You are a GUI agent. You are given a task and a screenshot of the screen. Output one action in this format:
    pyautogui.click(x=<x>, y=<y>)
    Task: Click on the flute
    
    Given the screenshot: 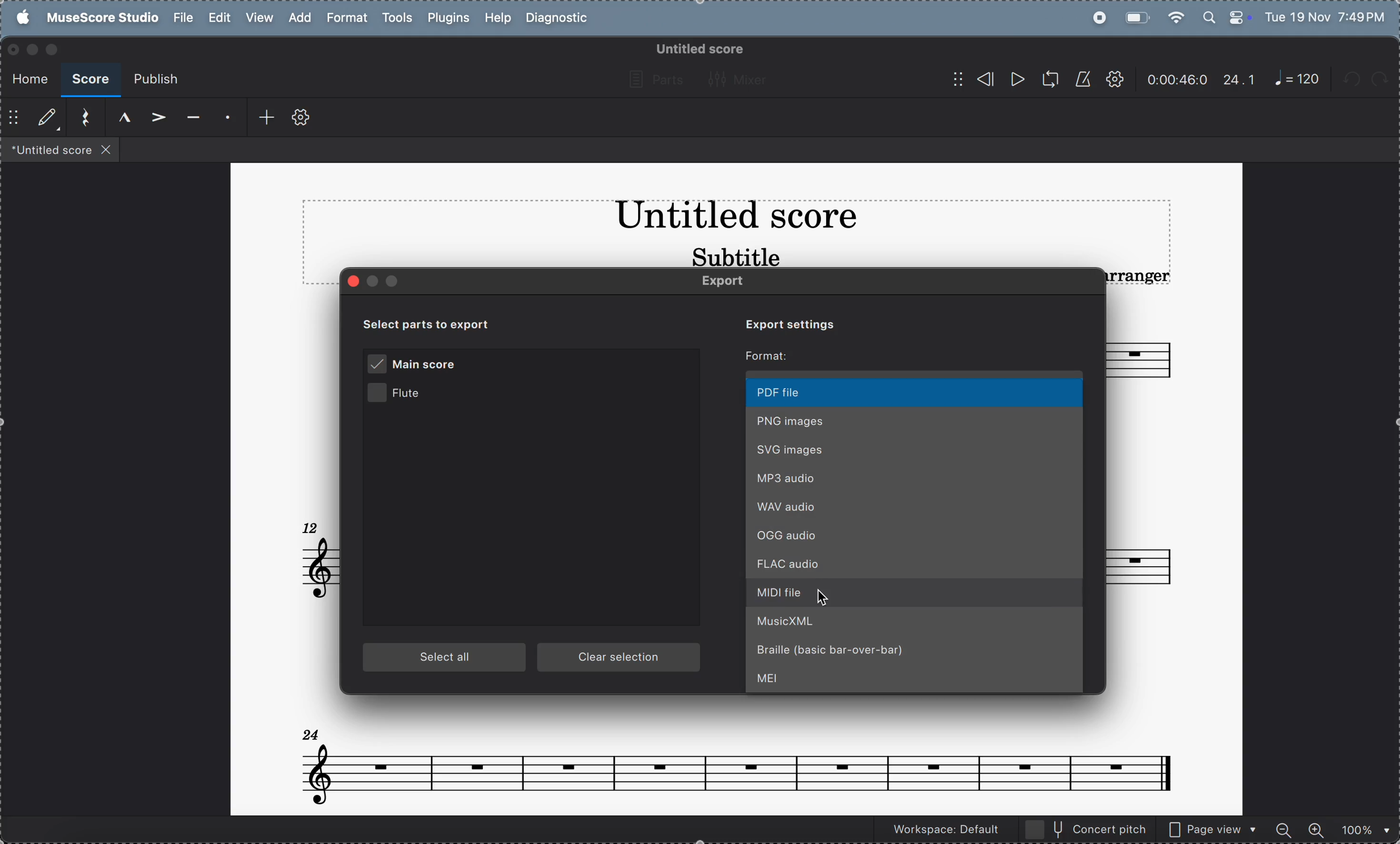 What is the action you would take?
    pyautogui.click(x=413, y=395)
    